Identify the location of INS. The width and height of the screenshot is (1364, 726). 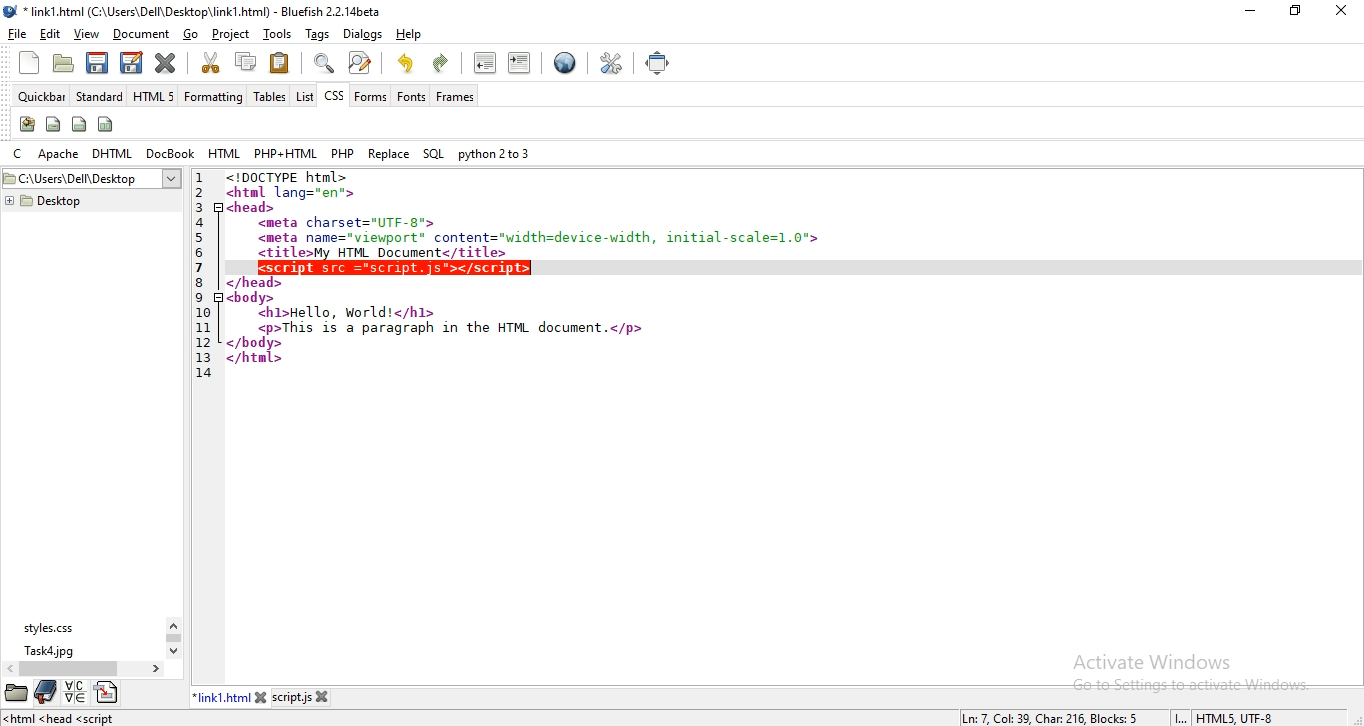
(1179, 718).